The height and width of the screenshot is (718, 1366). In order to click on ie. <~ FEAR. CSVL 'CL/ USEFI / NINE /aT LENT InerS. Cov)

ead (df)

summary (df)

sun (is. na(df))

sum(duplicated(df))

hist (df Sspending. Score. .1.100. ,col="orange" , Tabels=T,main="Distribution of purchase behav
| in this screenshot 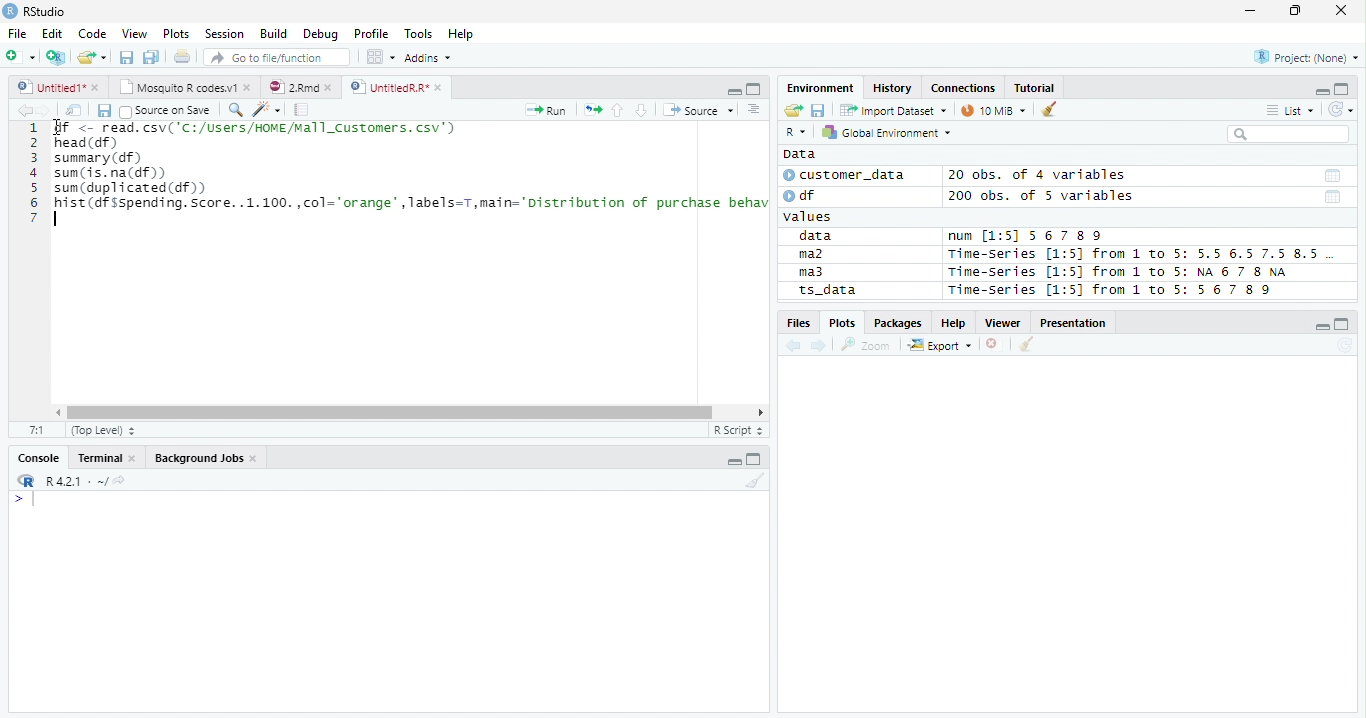, I will do `click(413, 176)`.